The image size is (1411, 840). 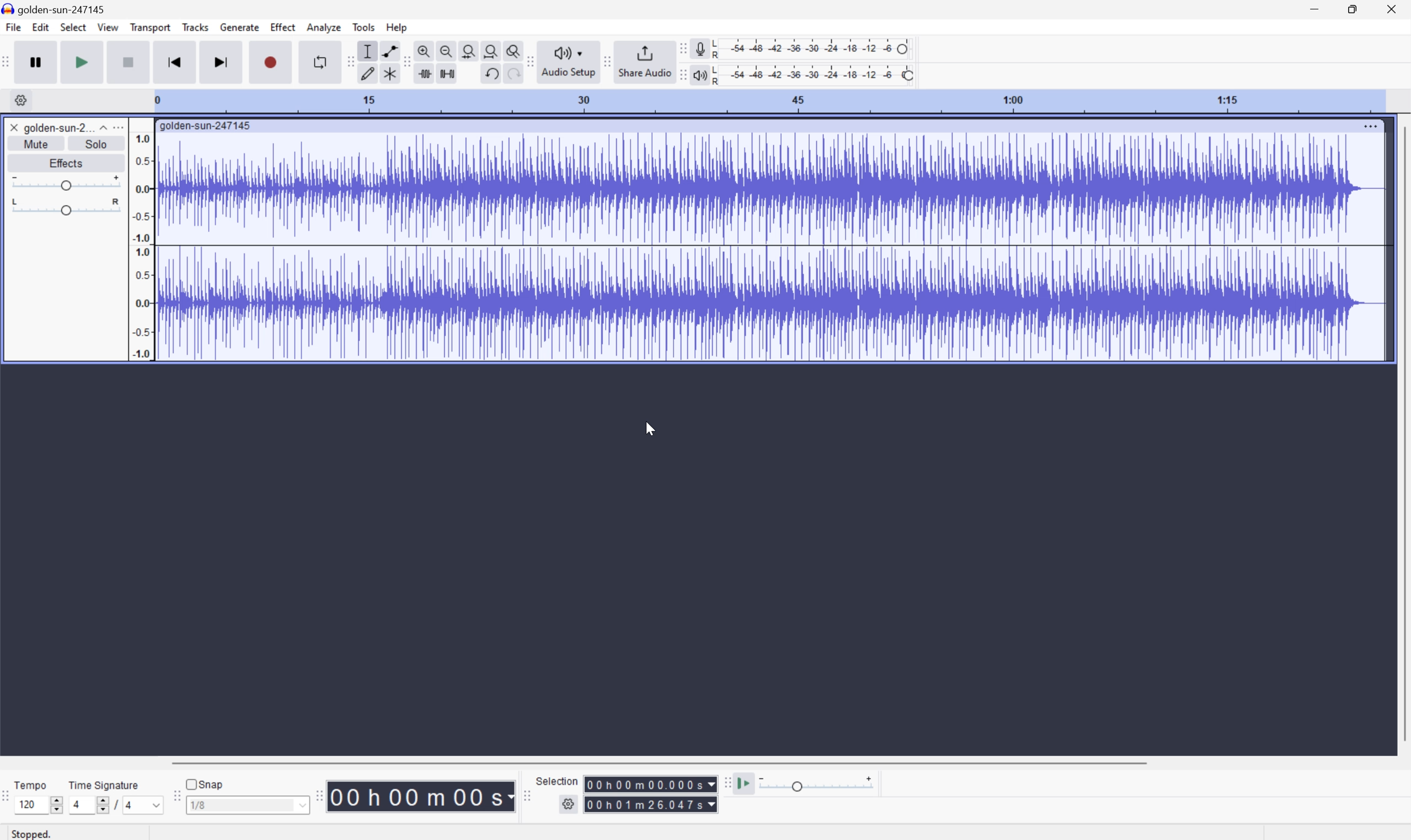 What do you see at coordinates (72, 27) in the screenshot?
I see `Select` at bounding box center [72, 27].